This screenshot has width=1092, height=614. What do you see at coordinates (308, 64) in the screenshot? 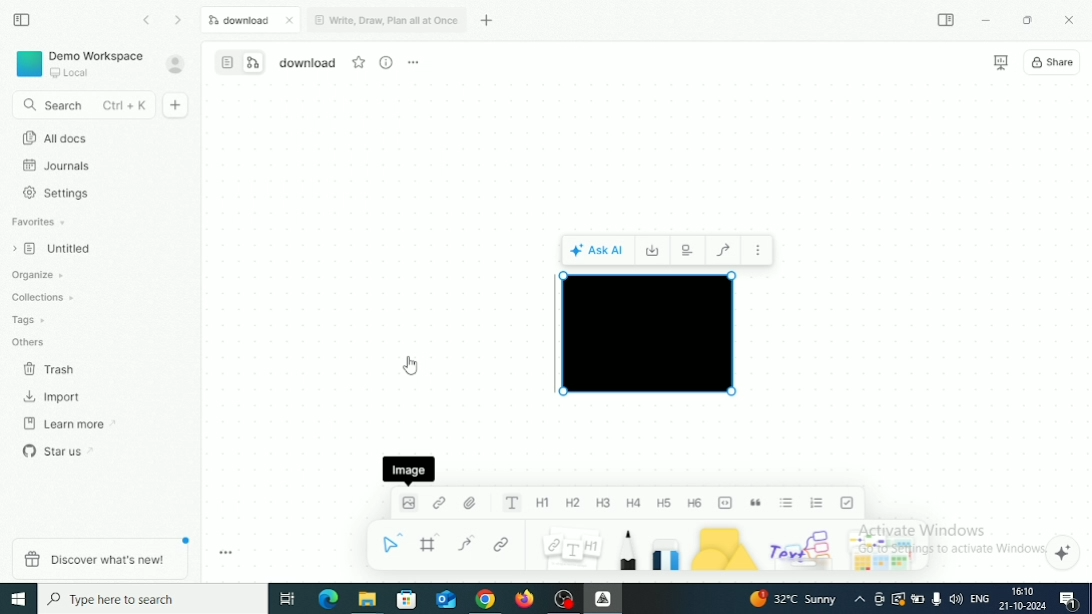
I see `File name` at bounding box center [308, 64].